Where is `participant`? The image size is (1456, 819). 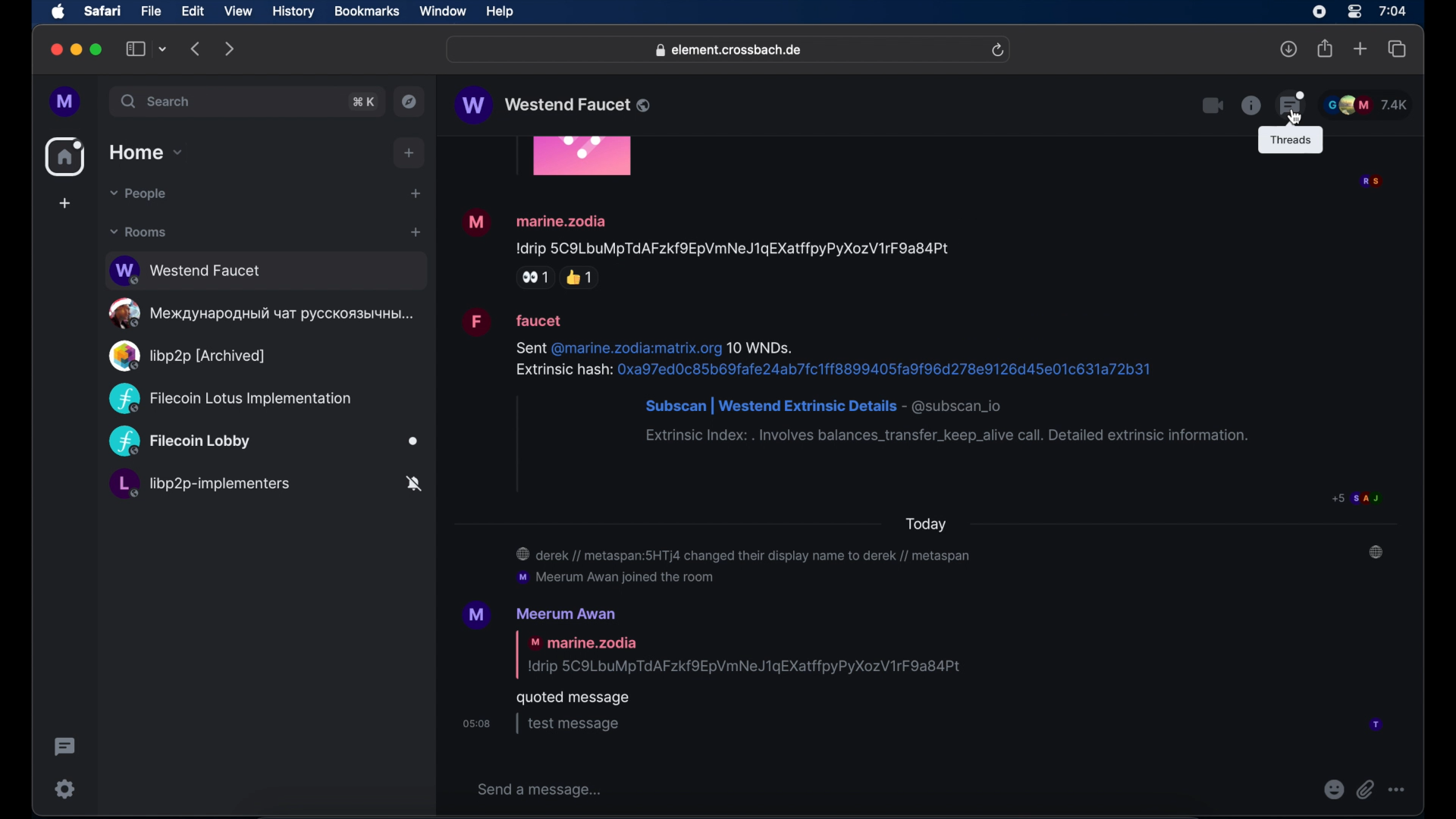
participant is located at coordinates (1367, 719).